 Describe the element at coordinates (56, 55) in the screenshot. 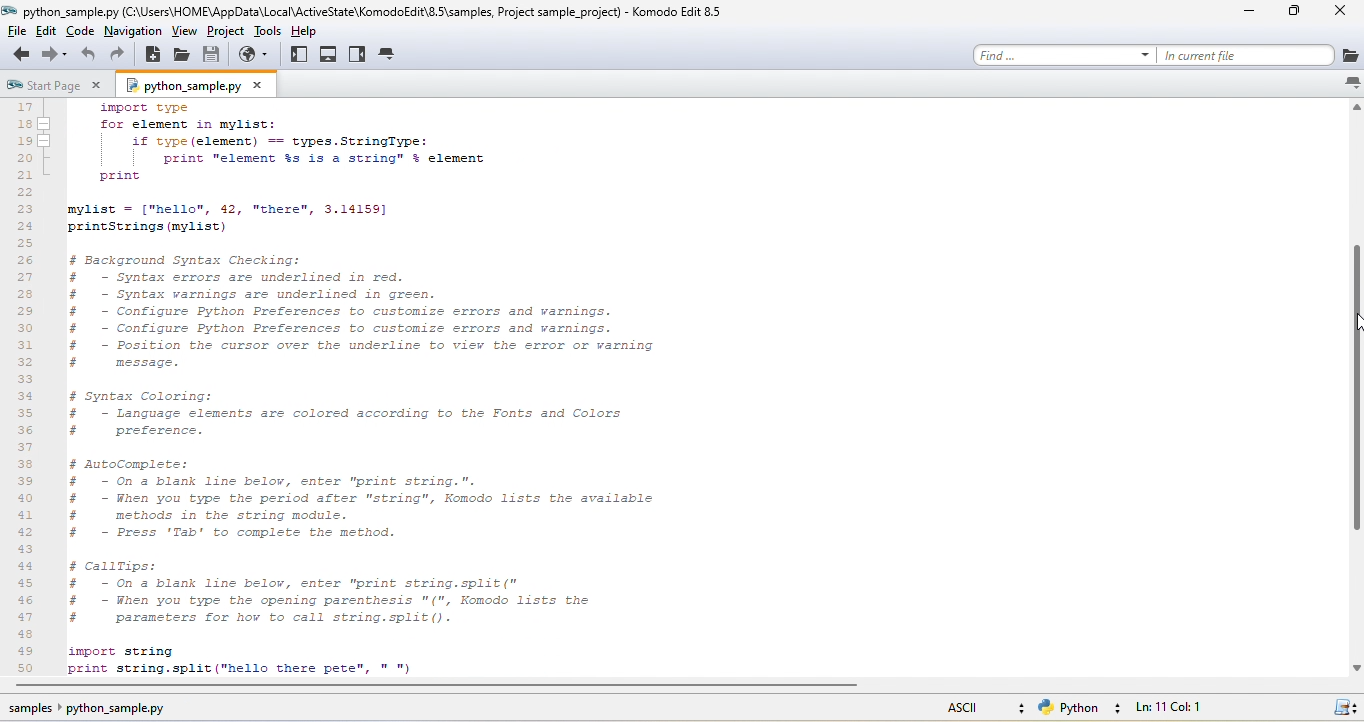

I see `forward` at that location.